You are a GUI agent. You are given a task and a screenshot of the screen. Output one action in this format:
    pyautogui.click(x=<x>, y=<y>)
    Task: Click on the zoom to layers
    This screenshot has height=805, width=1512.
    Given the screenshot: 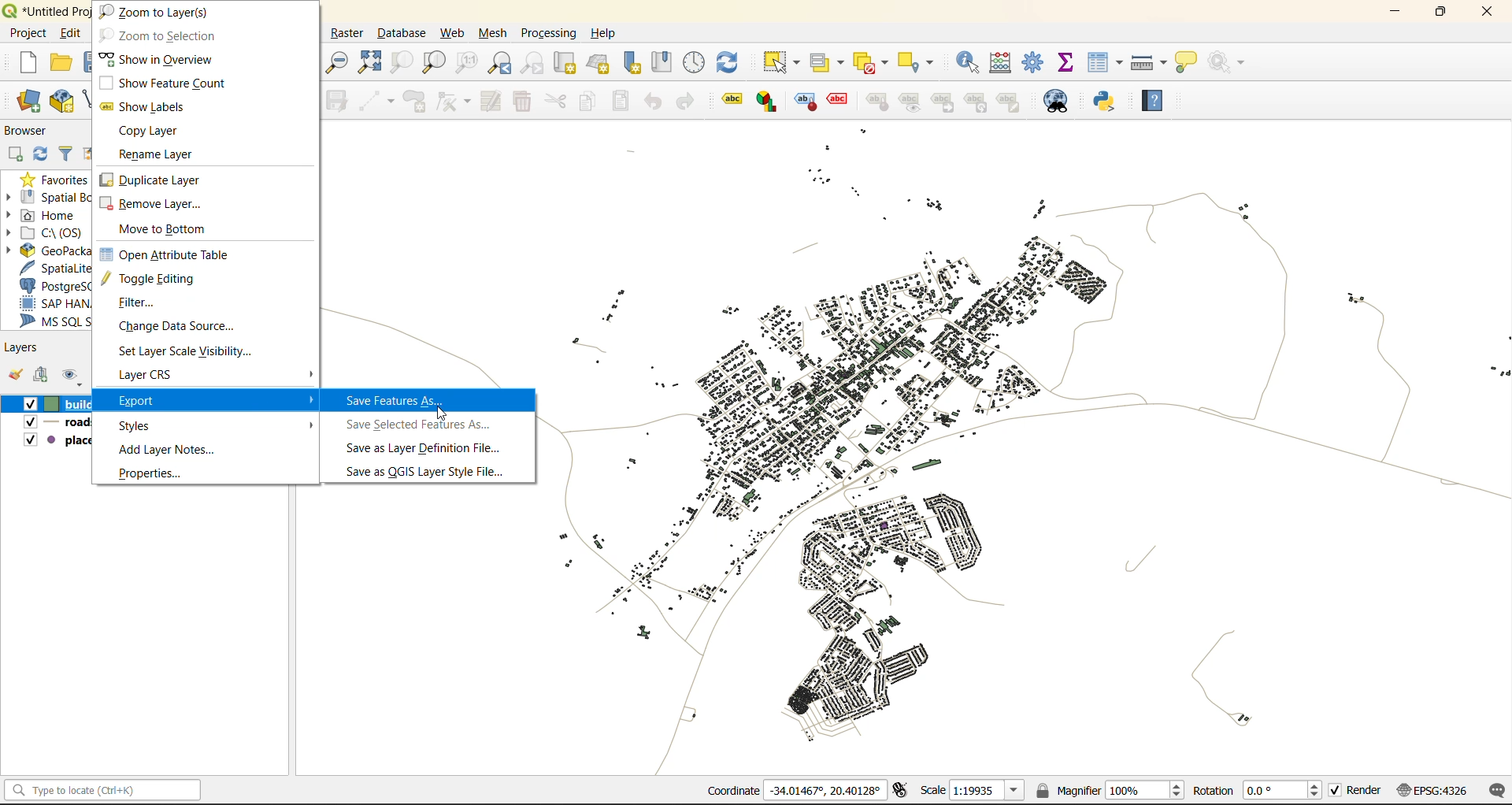 What is the action you would take?
    pyautogui.click(x=154, y=12)
    